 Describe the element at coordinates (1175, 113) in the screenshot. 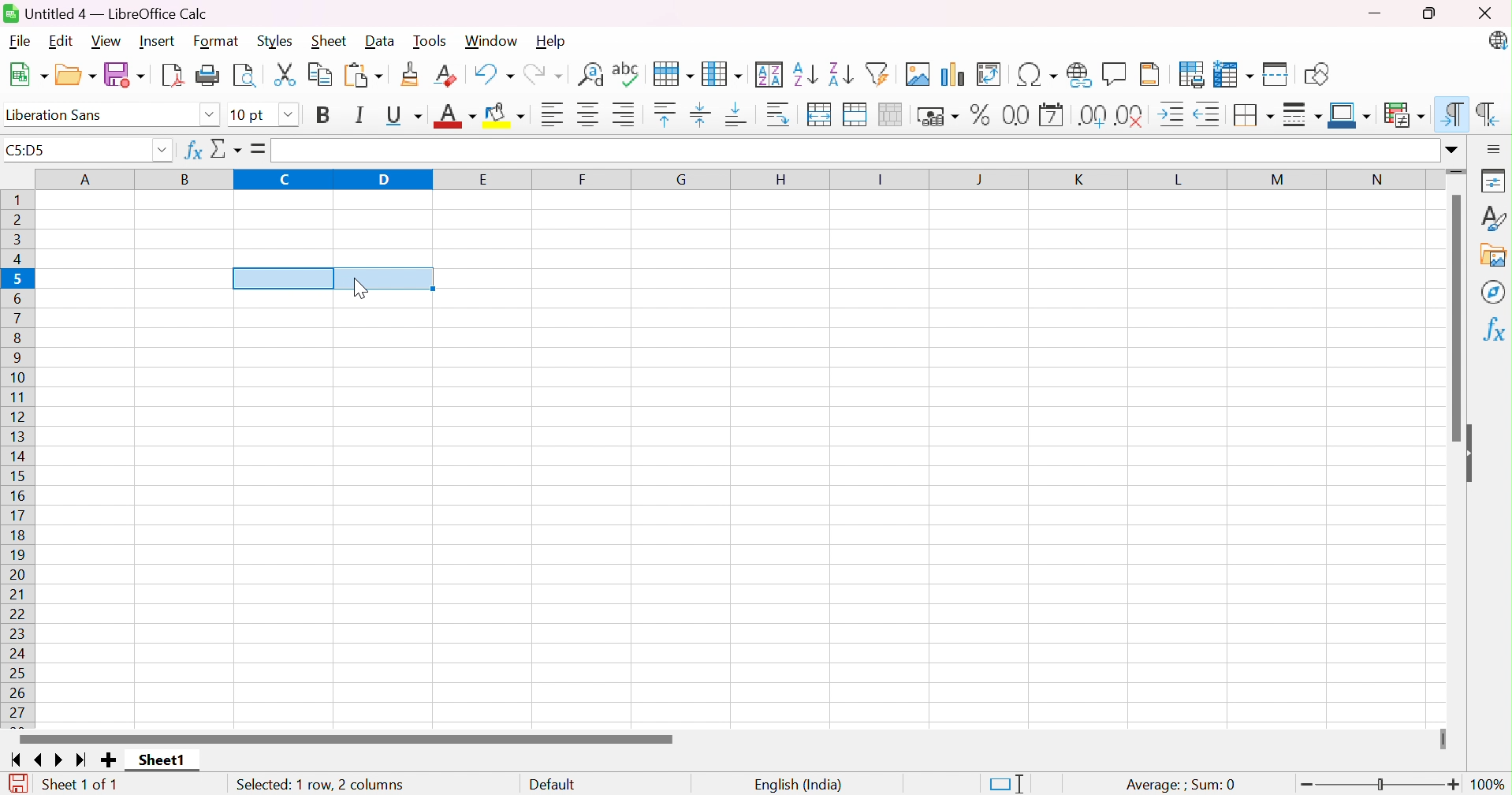

I see `Increase Indent` at that location.